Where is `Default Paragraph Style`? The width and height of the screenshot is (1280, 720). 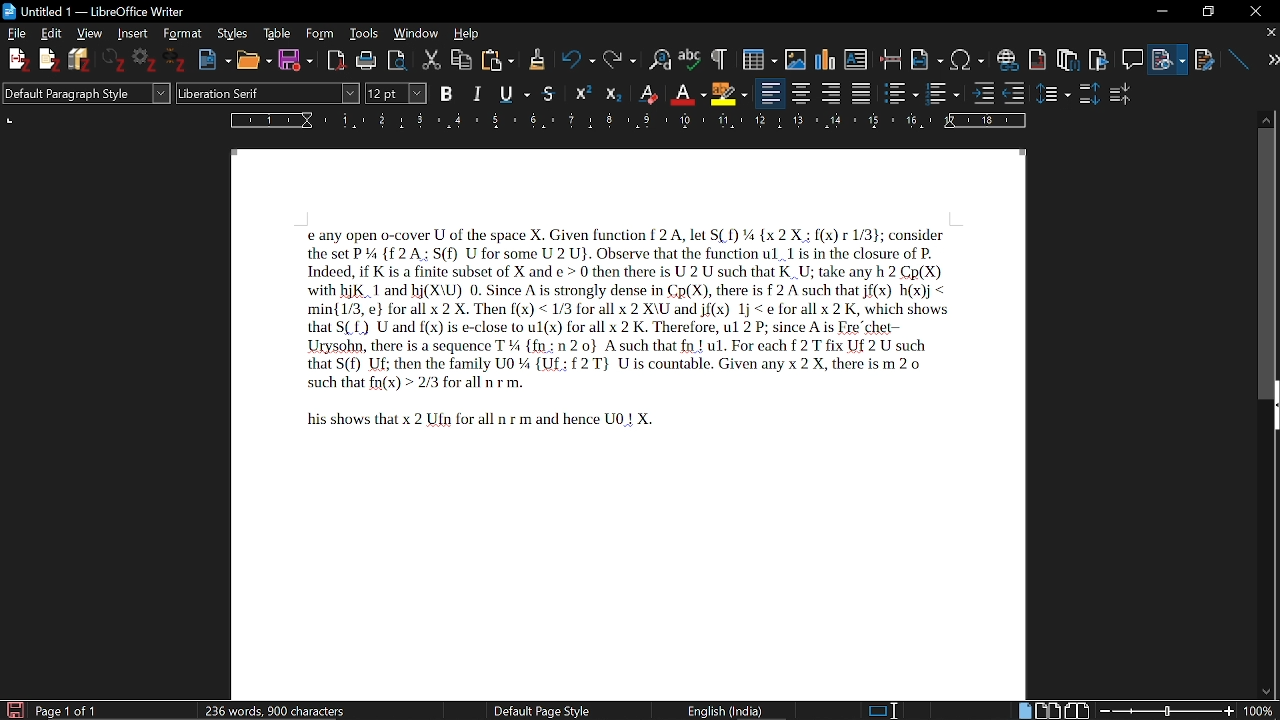 Default Paragraph Style is located at coordinates (84, 95).